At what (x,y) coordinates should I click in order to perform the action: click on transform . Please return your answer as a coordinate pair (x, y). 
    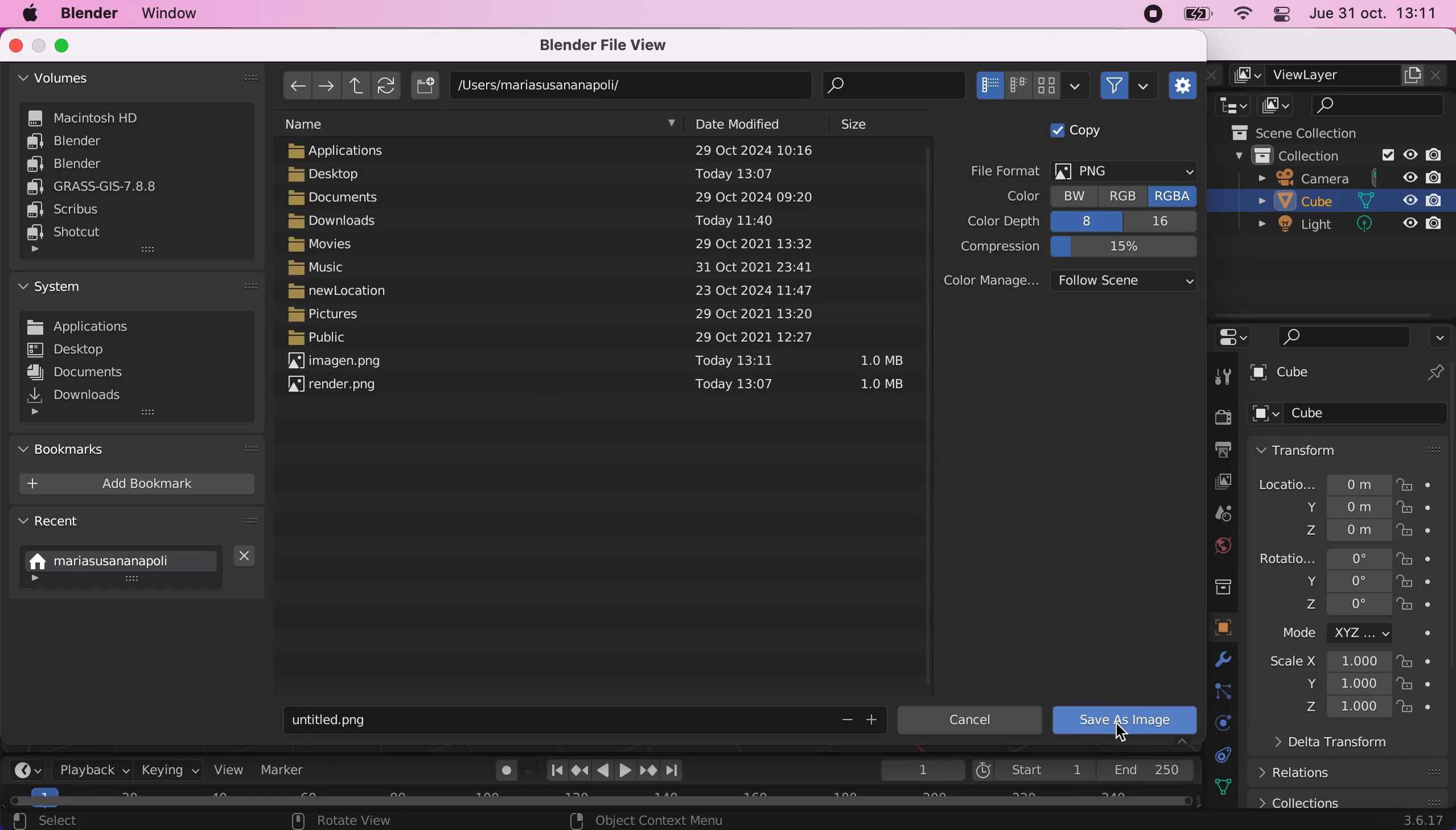
    Looking at the image, I should click on (1352, 449).